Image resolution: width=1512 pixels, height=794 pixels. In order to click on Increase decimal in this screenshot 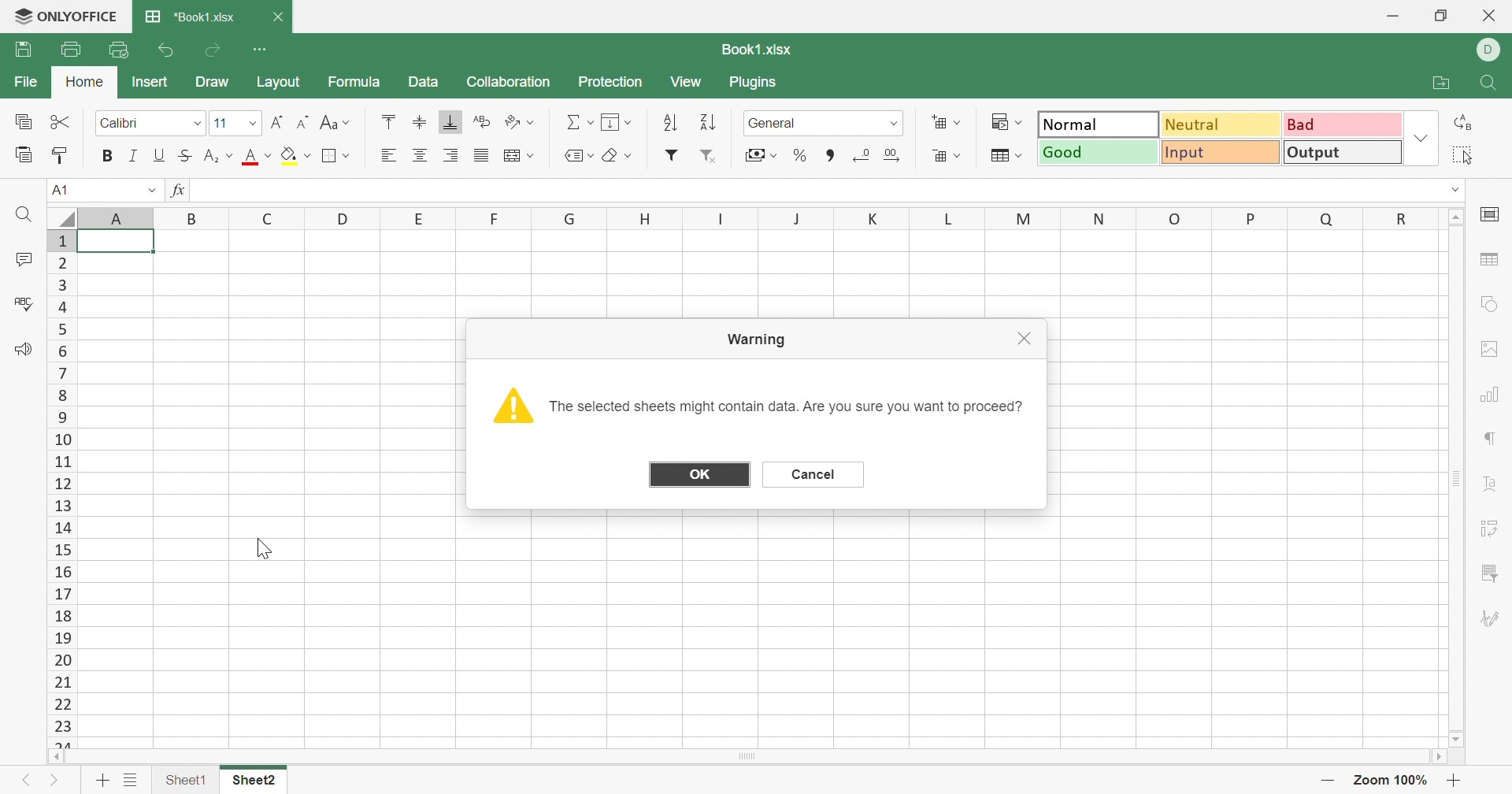, I will do `click(893, 157)`.